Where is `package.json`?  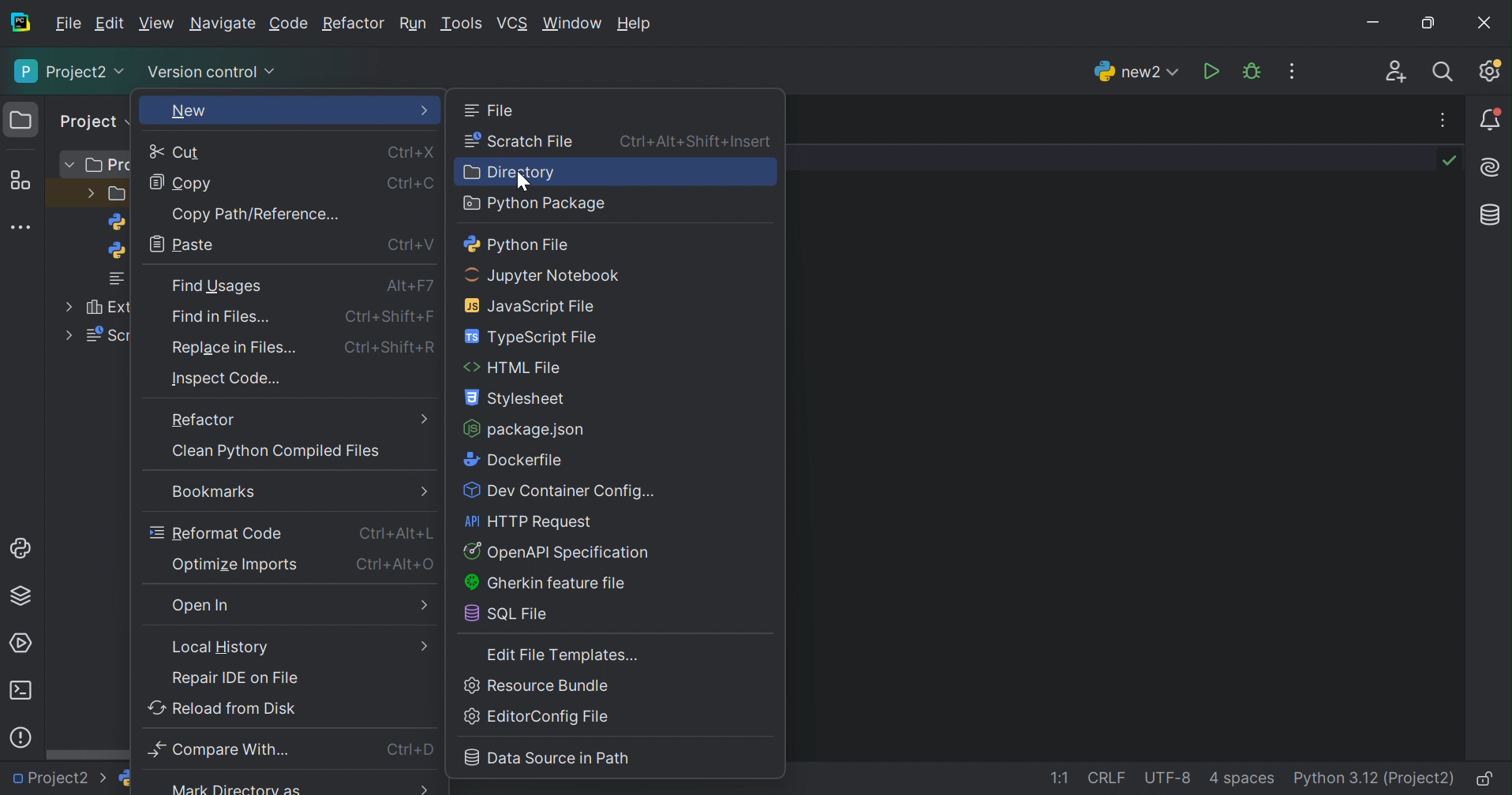 package.json is located at coordinates (524, 429).